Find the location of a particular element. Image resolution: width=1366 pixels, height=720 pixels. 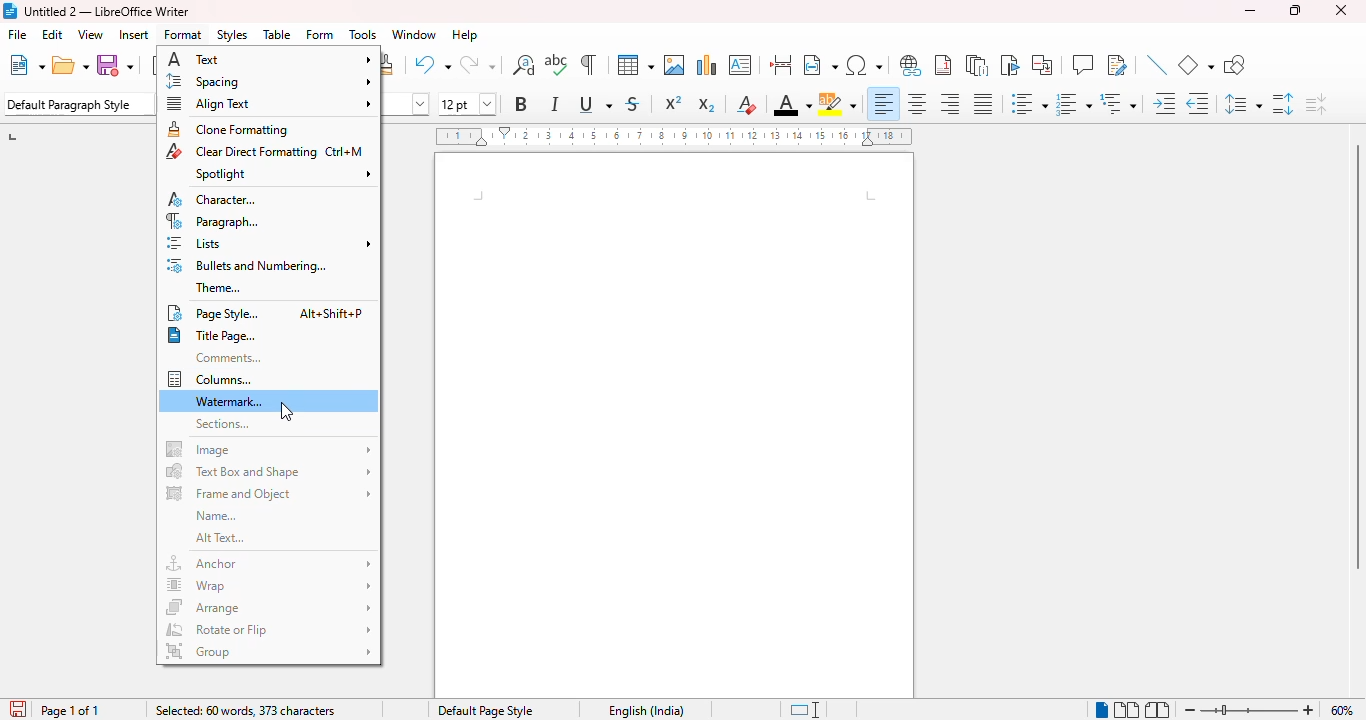

multi-page view is located at coordinates (1126, 709).